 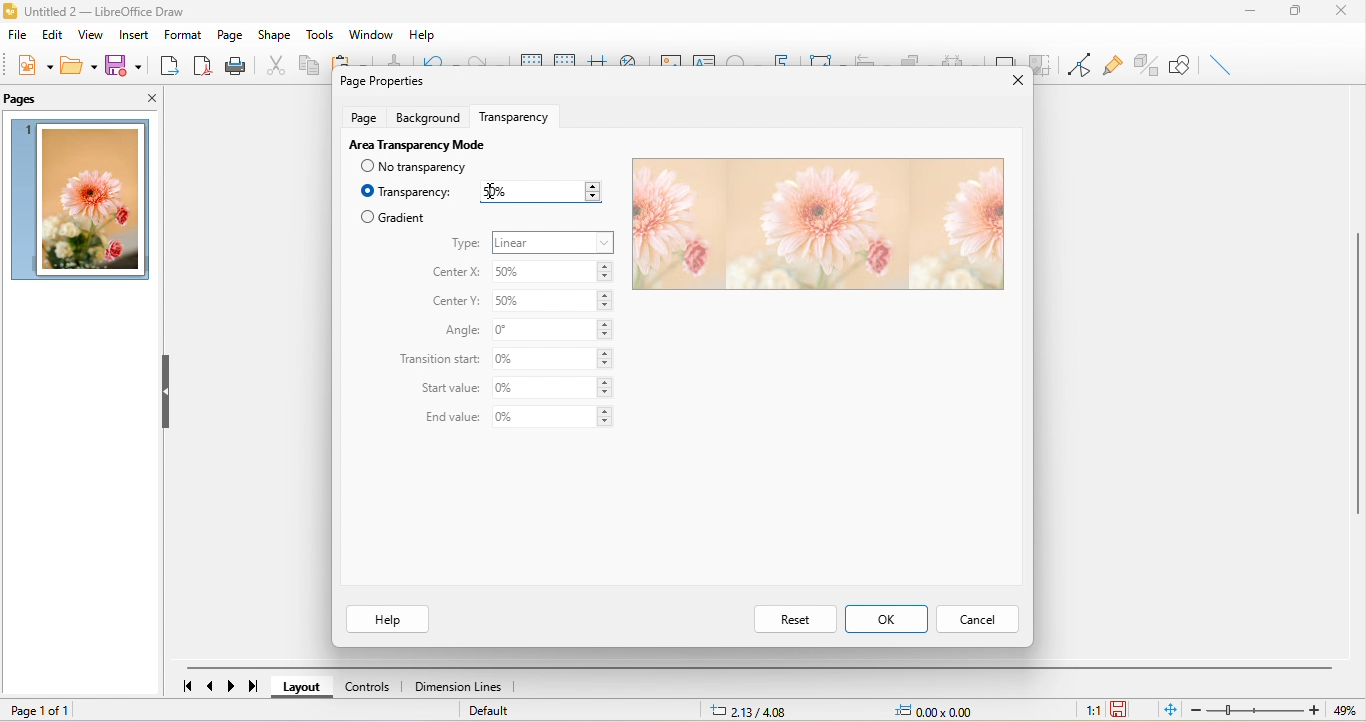 I want to click on 50%, so click(x=552, y=304).